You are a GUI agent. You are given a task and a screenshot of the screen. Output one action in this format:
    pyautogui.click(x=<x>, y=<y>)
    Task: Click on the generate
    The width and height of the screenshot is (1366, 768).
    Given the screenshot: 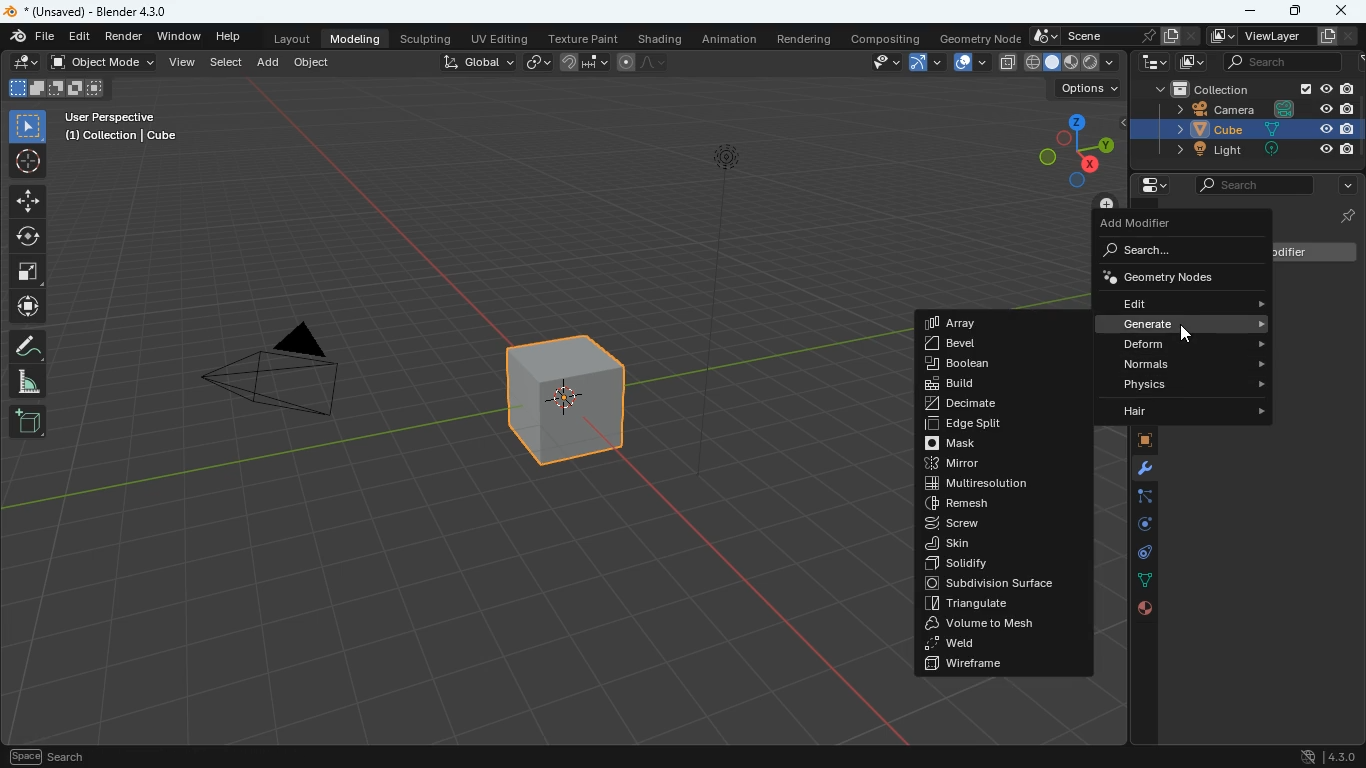 What is the action you would take?
    pyautogui.click(x=1190, y=324)
    